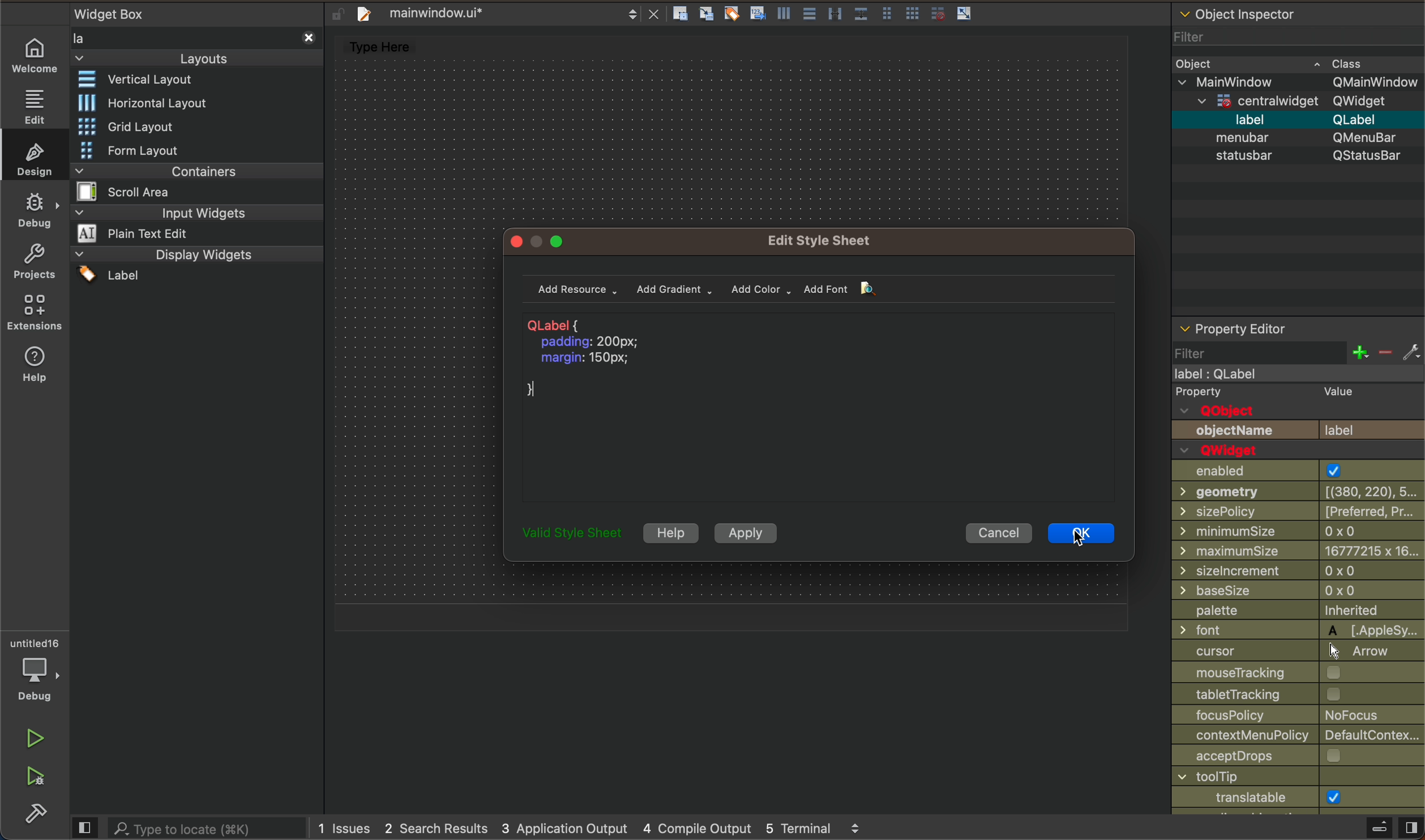  What do you see at coordinates (36, 737) in the screenshot?
I see `run` at bounding box center [36, 737].